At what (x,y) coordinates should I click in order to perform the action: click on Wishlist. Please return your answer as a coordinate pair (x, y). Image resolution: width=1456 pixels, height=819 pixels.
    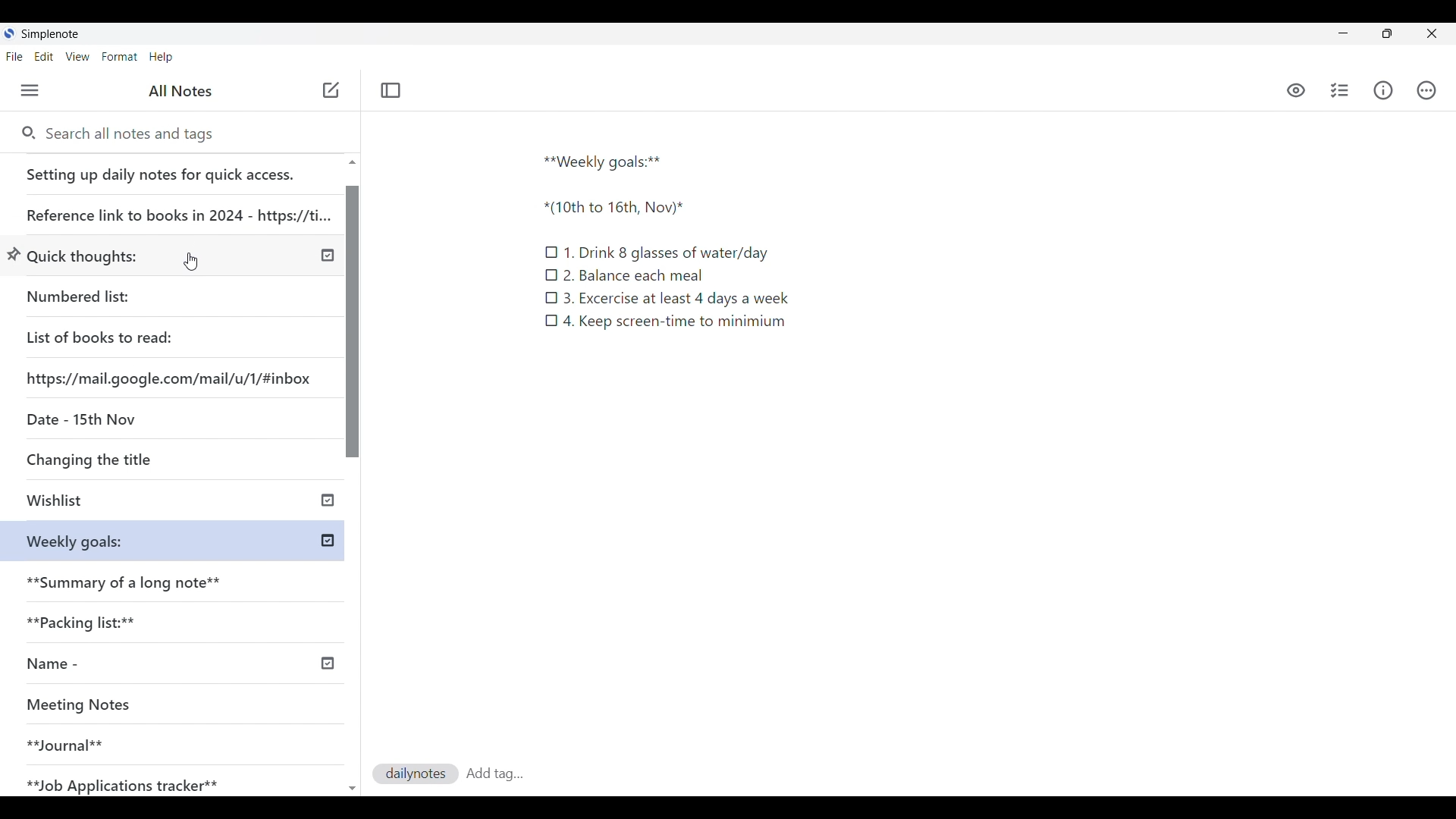
    Looking at the image, I should click on (127, 502).